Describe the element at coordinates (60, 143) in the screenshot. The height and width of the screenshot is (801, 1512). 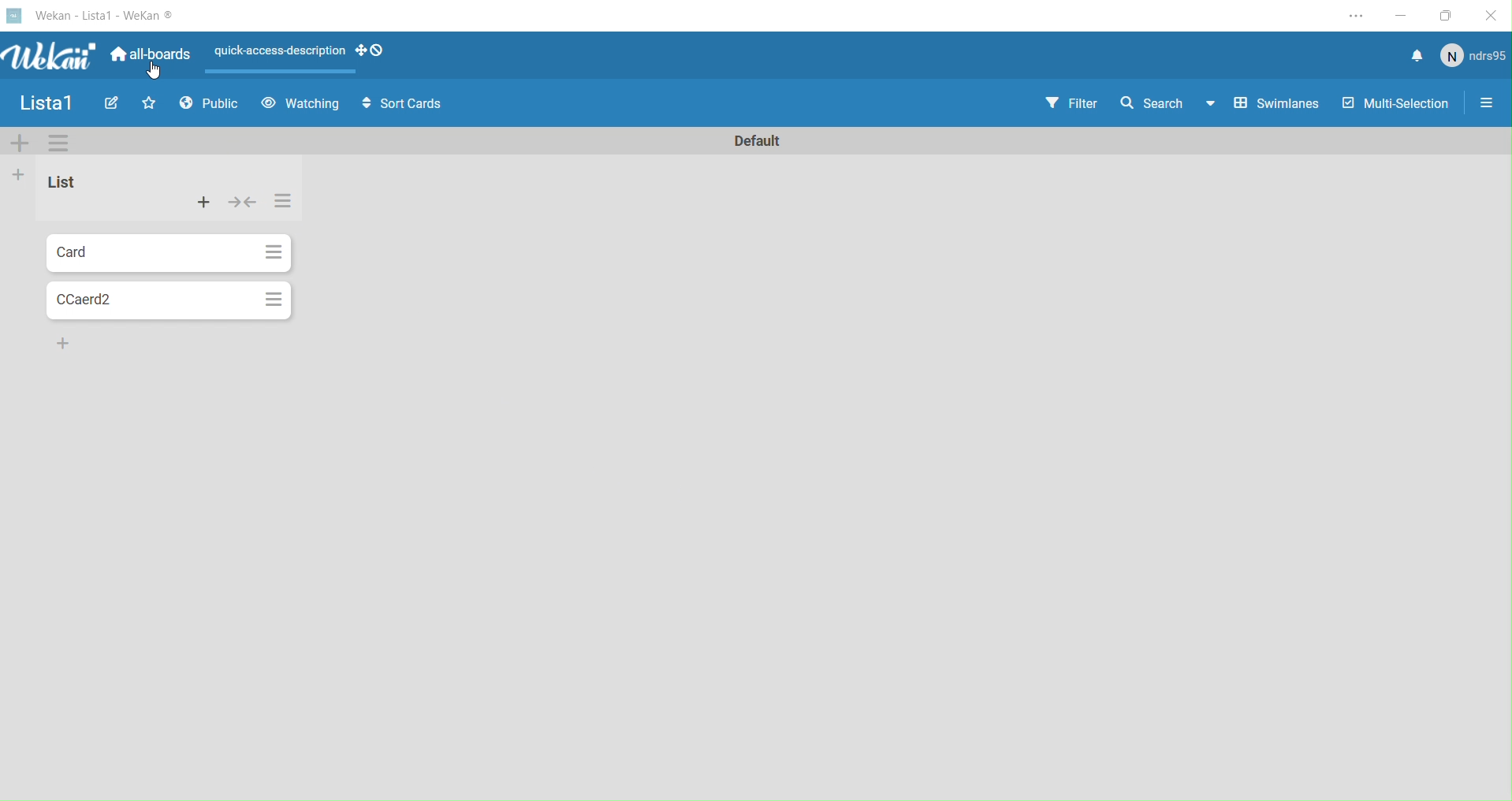
I see `Options` at that location.